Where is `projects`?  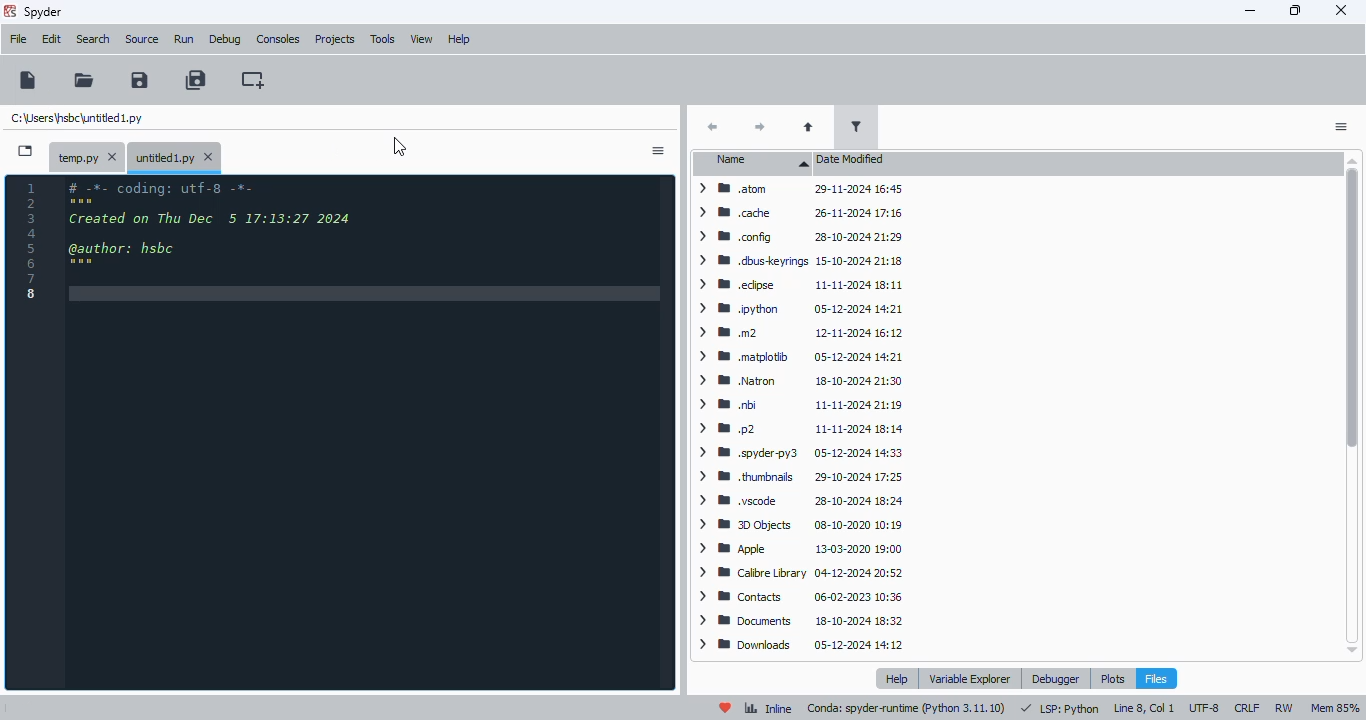
projects is located at coordinates (336, 39).